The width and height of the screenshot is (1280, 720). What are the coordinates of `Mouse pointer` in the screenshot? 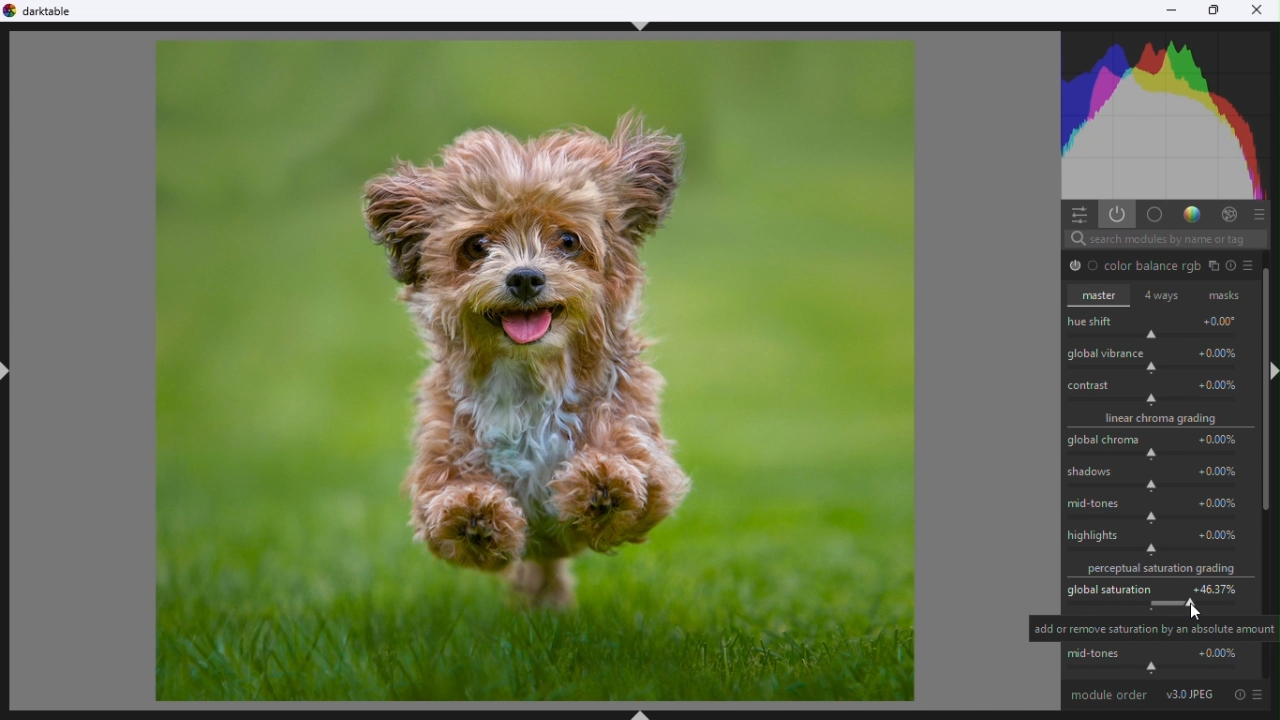 It's located at (1199, 610).